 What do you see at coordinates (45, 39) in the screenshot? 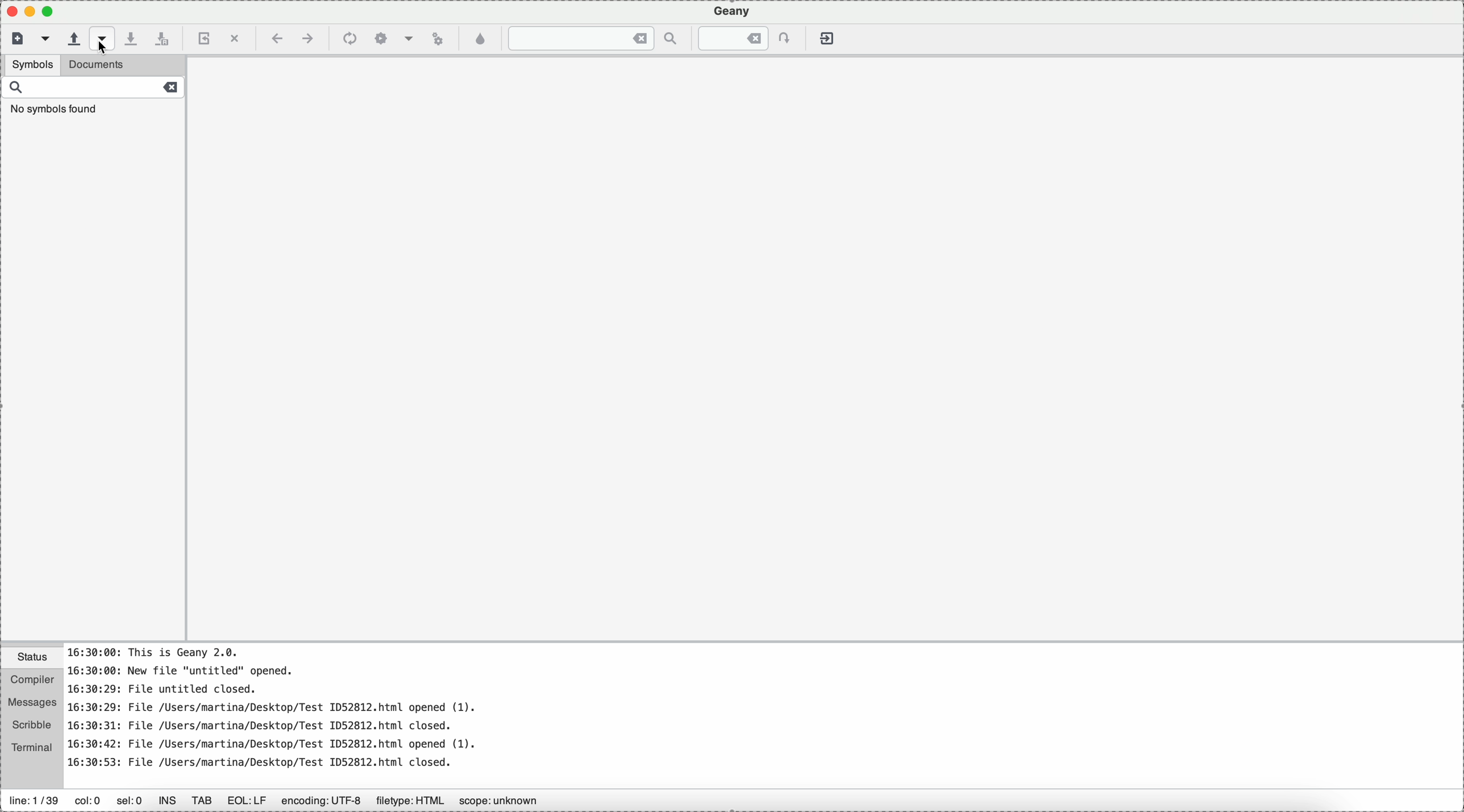
I see `new file from template` at bounding box center [45, 39].